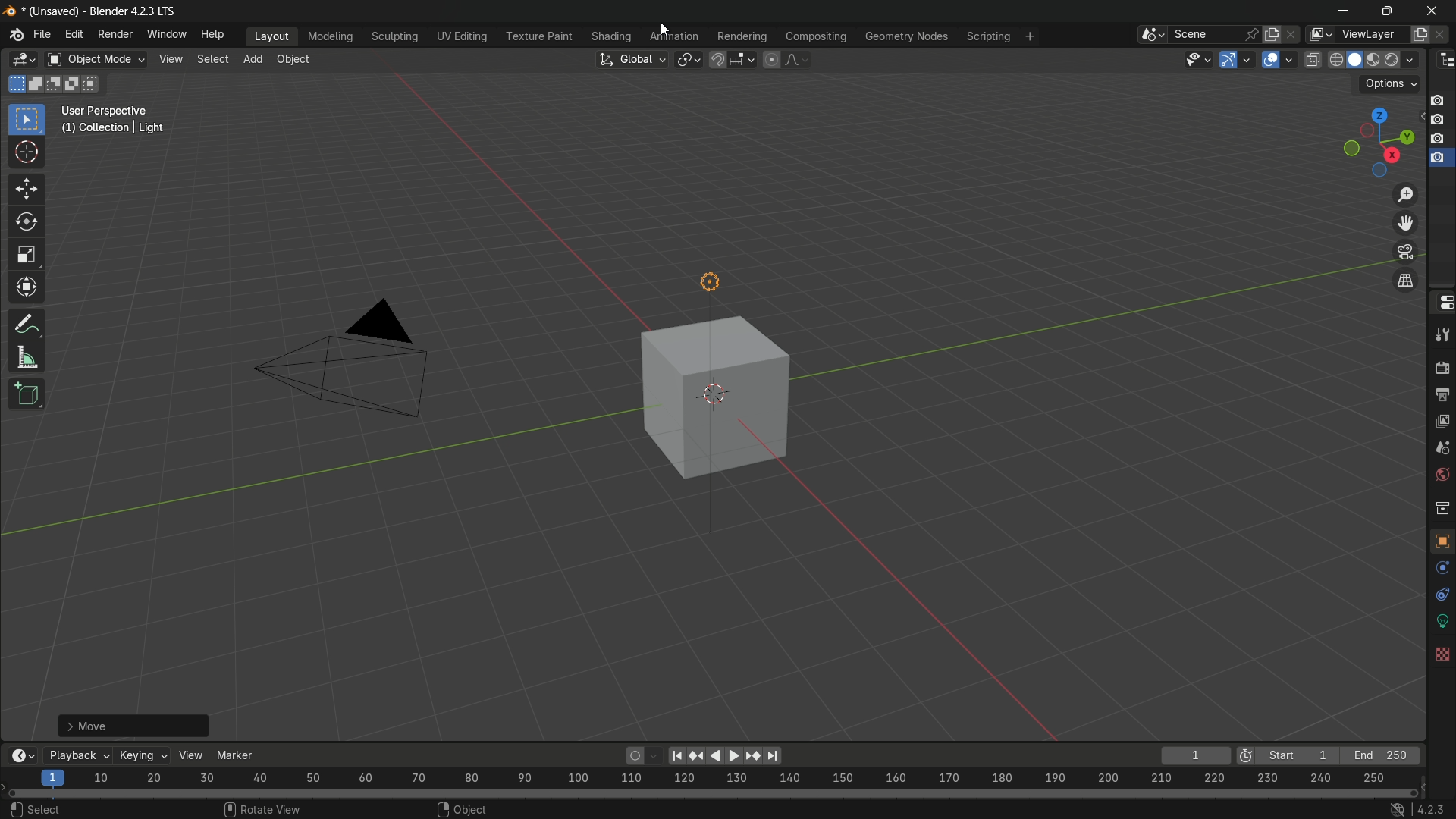  What do you see at coordinates (1442, 367) in the screenshot?
I see `render` at bounding box center [1442, 367].